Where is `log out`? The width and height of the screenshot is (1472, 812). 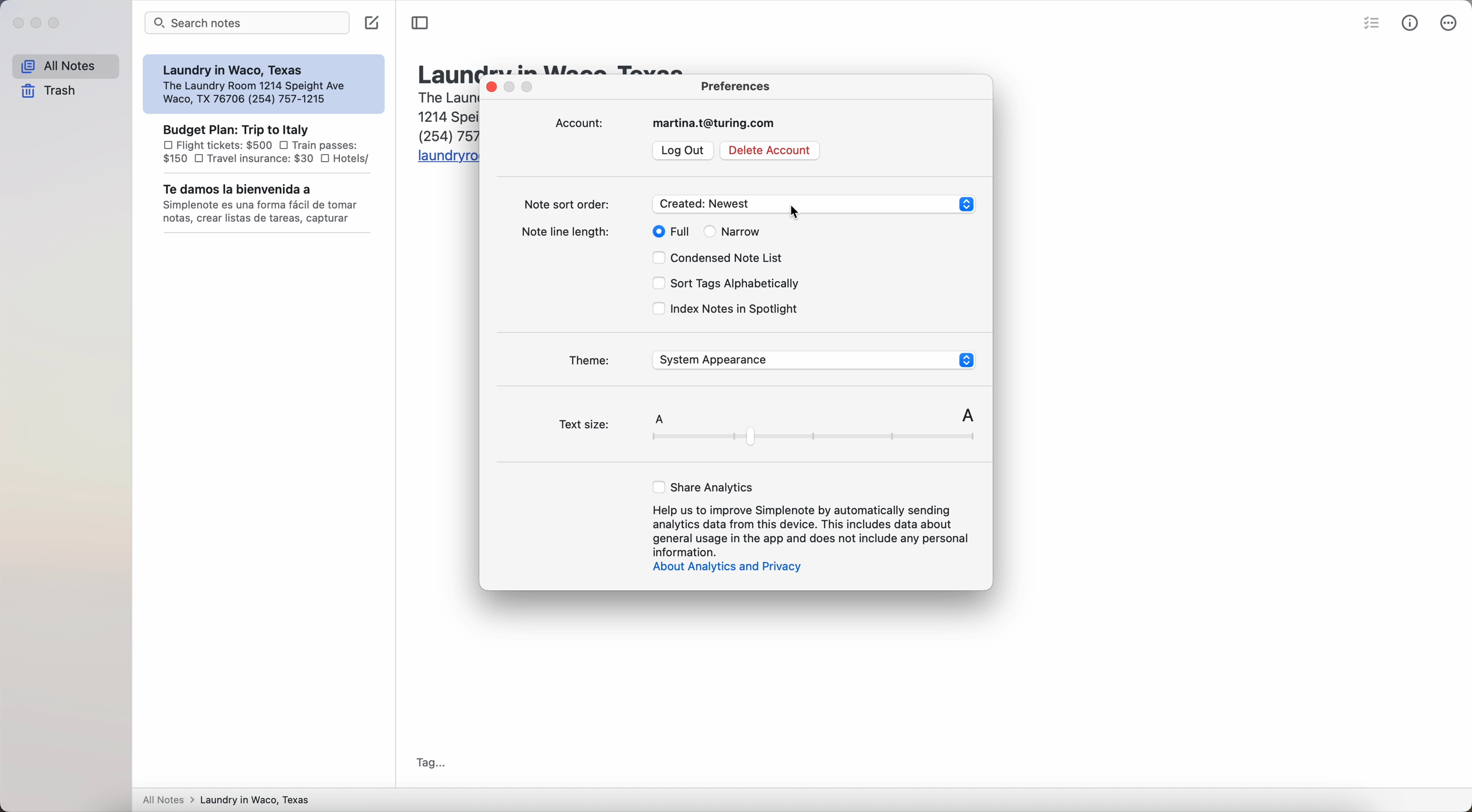
log out is located at coordinates (685, 150).